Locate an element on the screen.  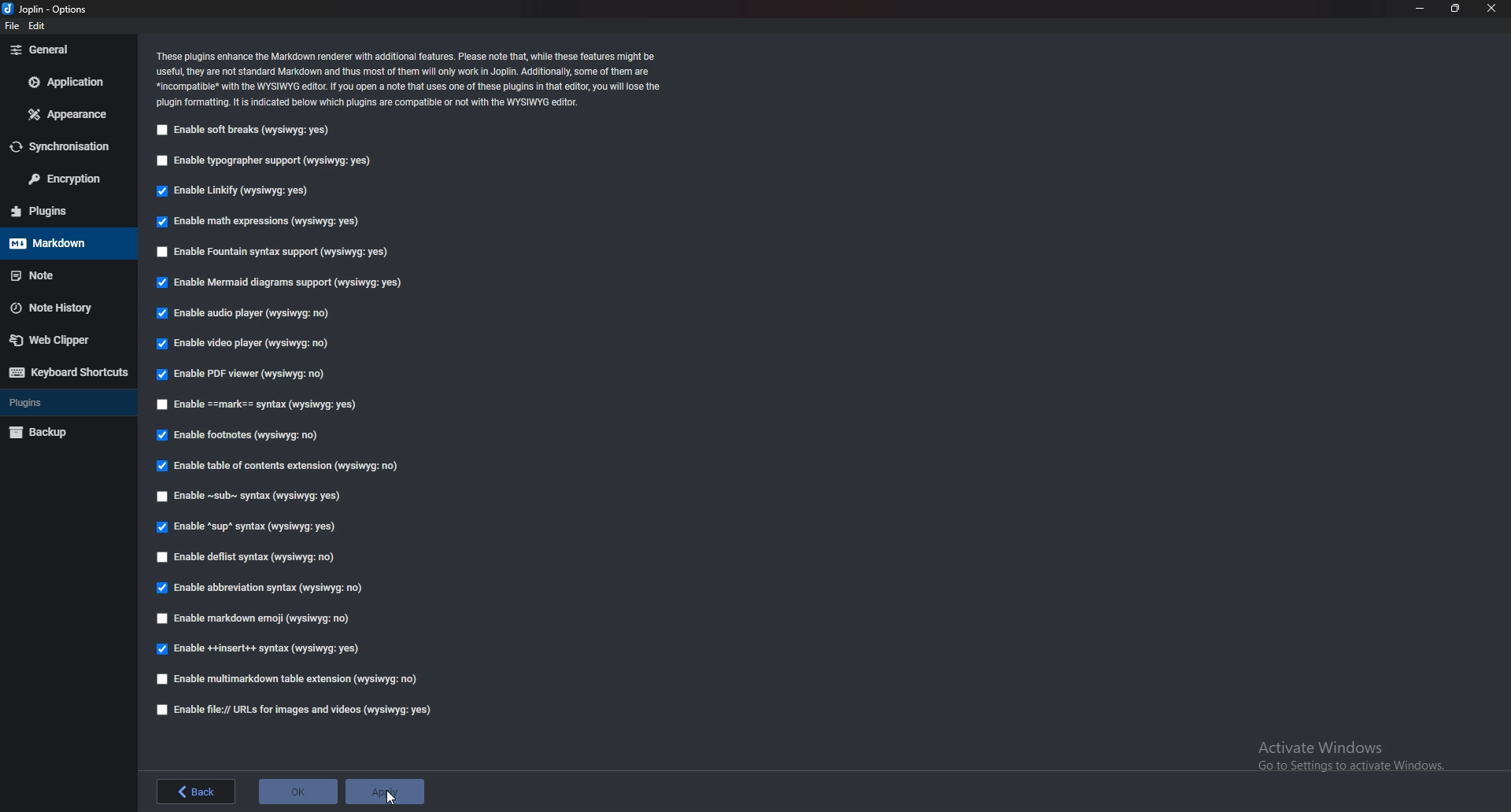
cursor is located at coordinates (397, 802).